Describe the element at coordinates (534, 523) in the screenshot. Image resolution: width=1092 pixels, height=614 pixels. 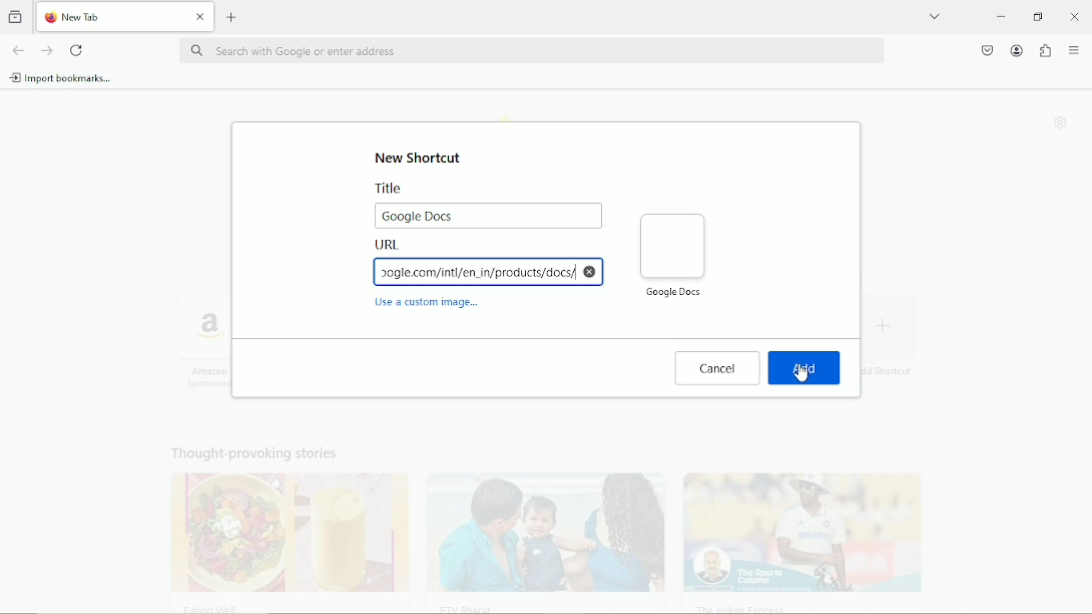
I see `Thought provoking stories` at that location.